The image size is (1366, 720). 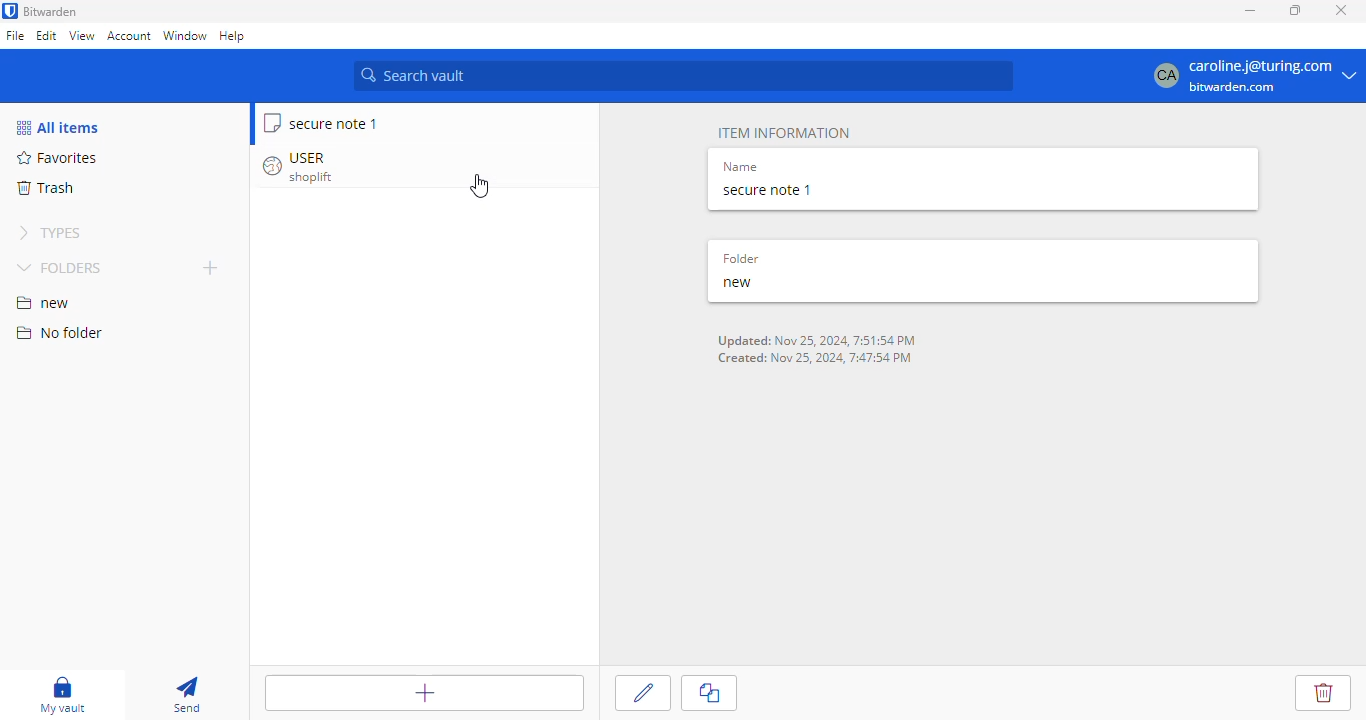 What do you see at coordinates (46, 188) in the screenshot?
I see `trash` at bounding box center [46, 188].